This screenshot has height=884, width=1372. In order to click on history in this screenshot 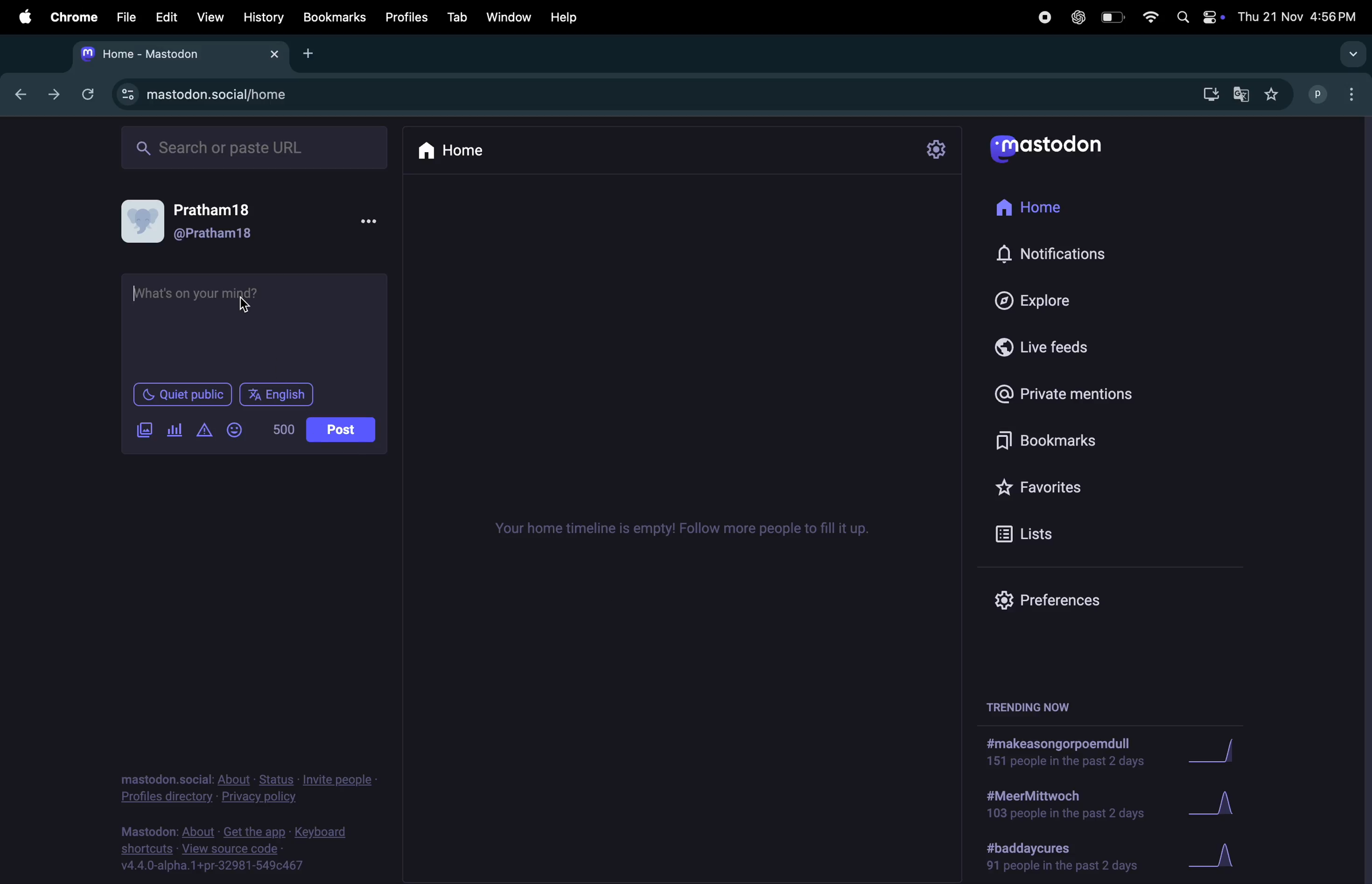, I will do `click(263, 17)`.